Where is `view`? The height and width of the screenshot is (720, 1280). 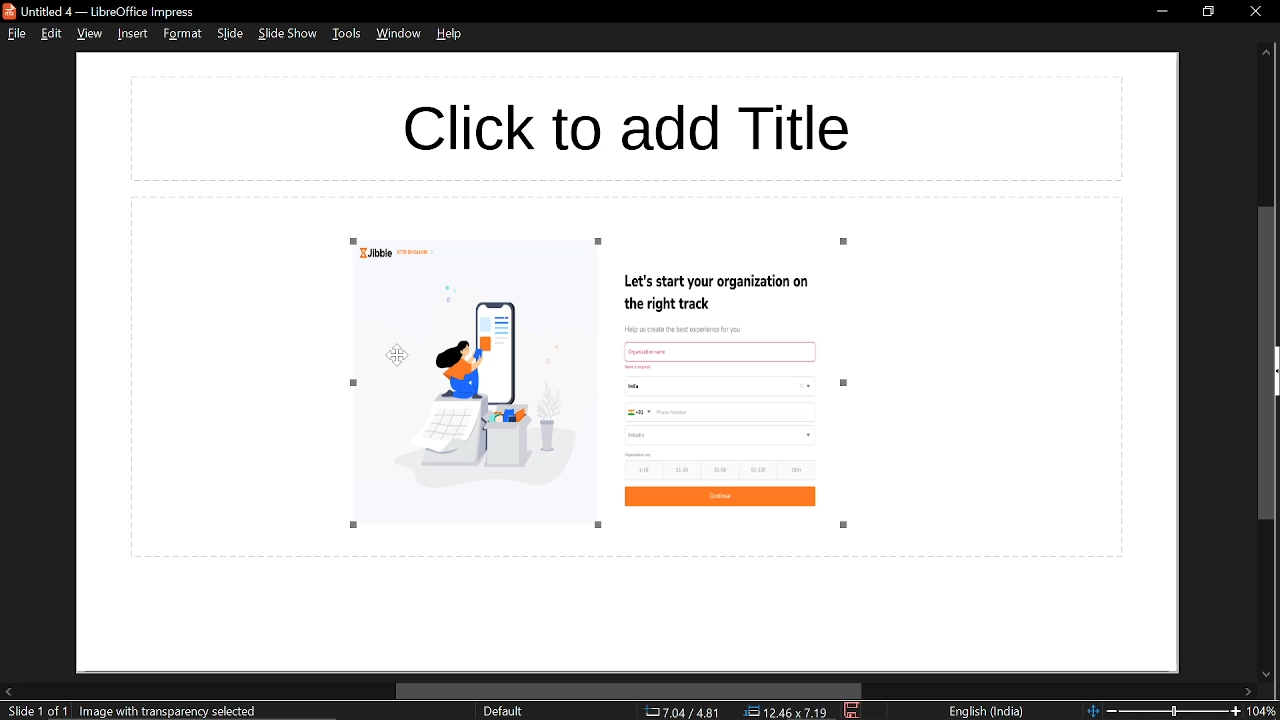 view is located at coordinates (88, 35).